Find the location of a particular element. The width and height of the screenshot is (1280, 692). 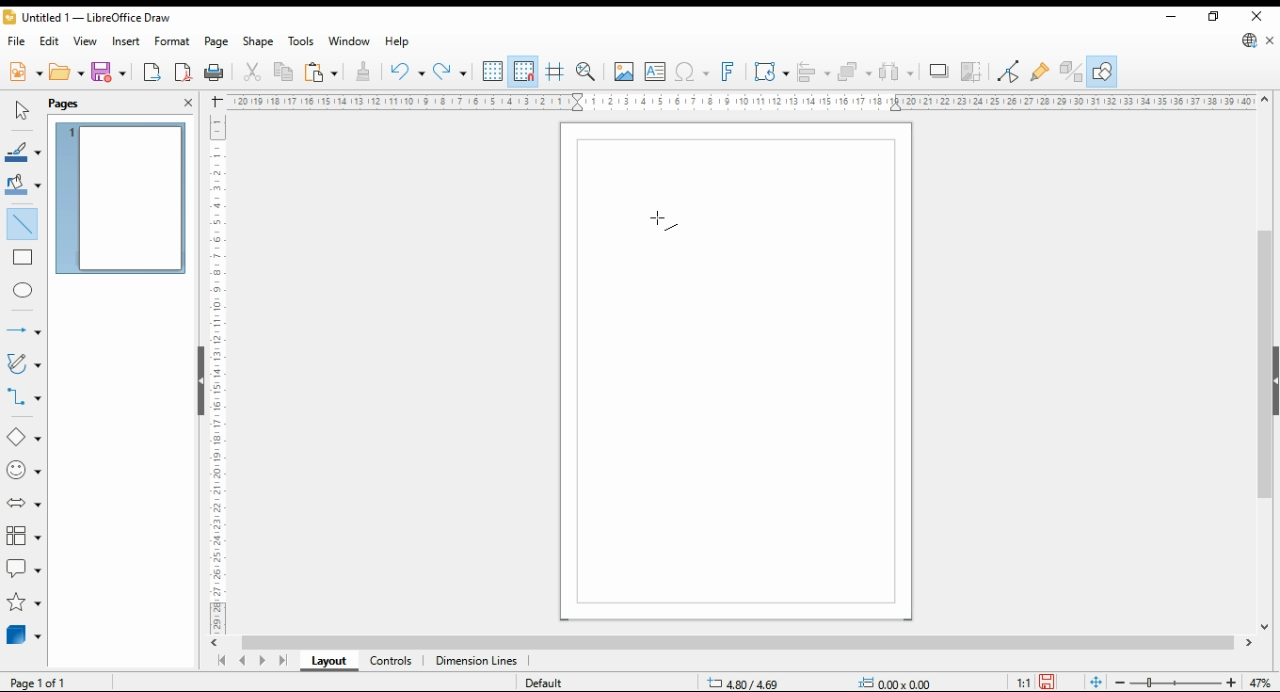

layout is located at coordinates (328, 662).